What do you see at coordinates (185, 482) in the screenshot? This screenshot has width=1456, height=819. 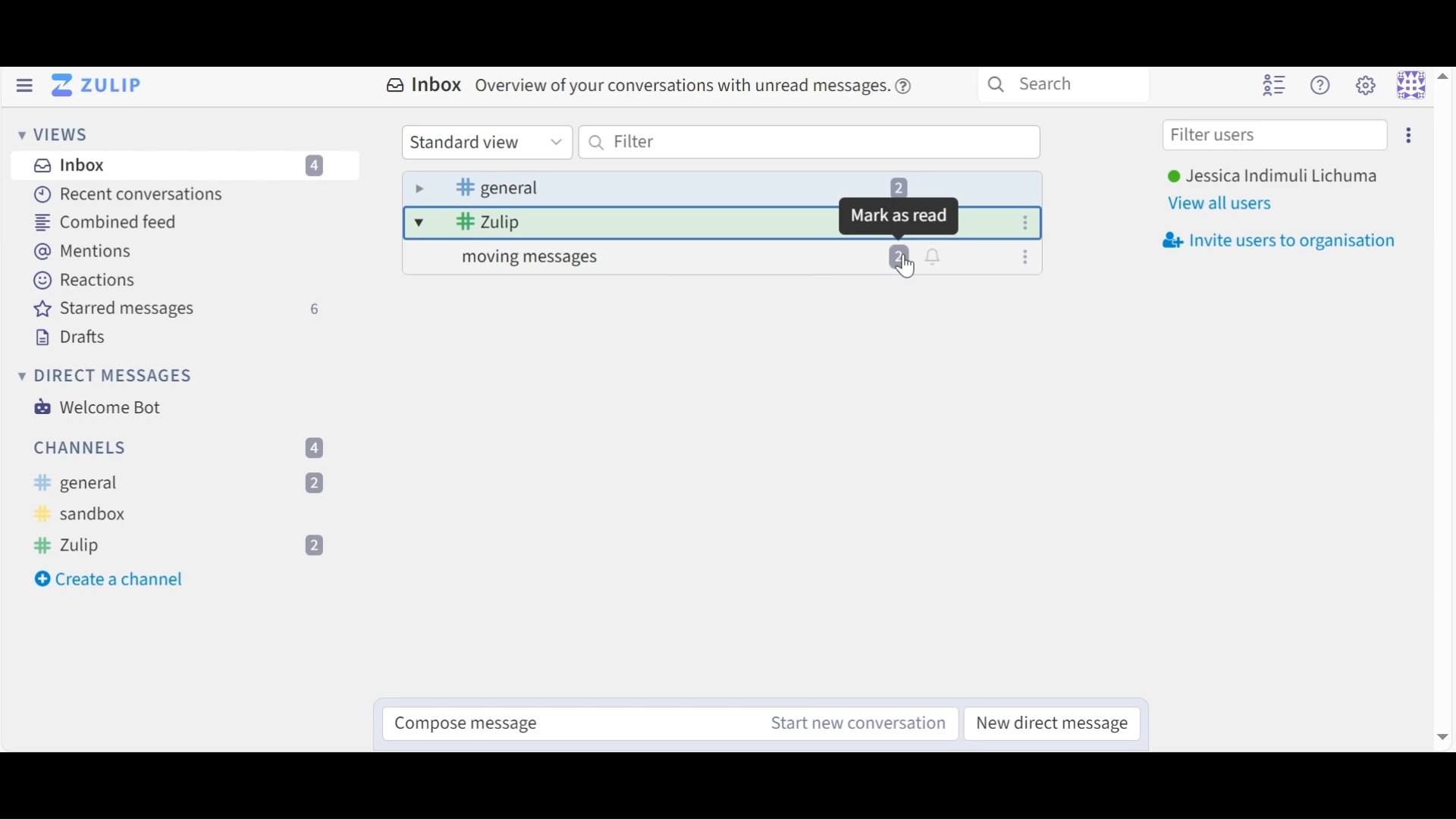 I see `General` at bounding box center [185, 482].